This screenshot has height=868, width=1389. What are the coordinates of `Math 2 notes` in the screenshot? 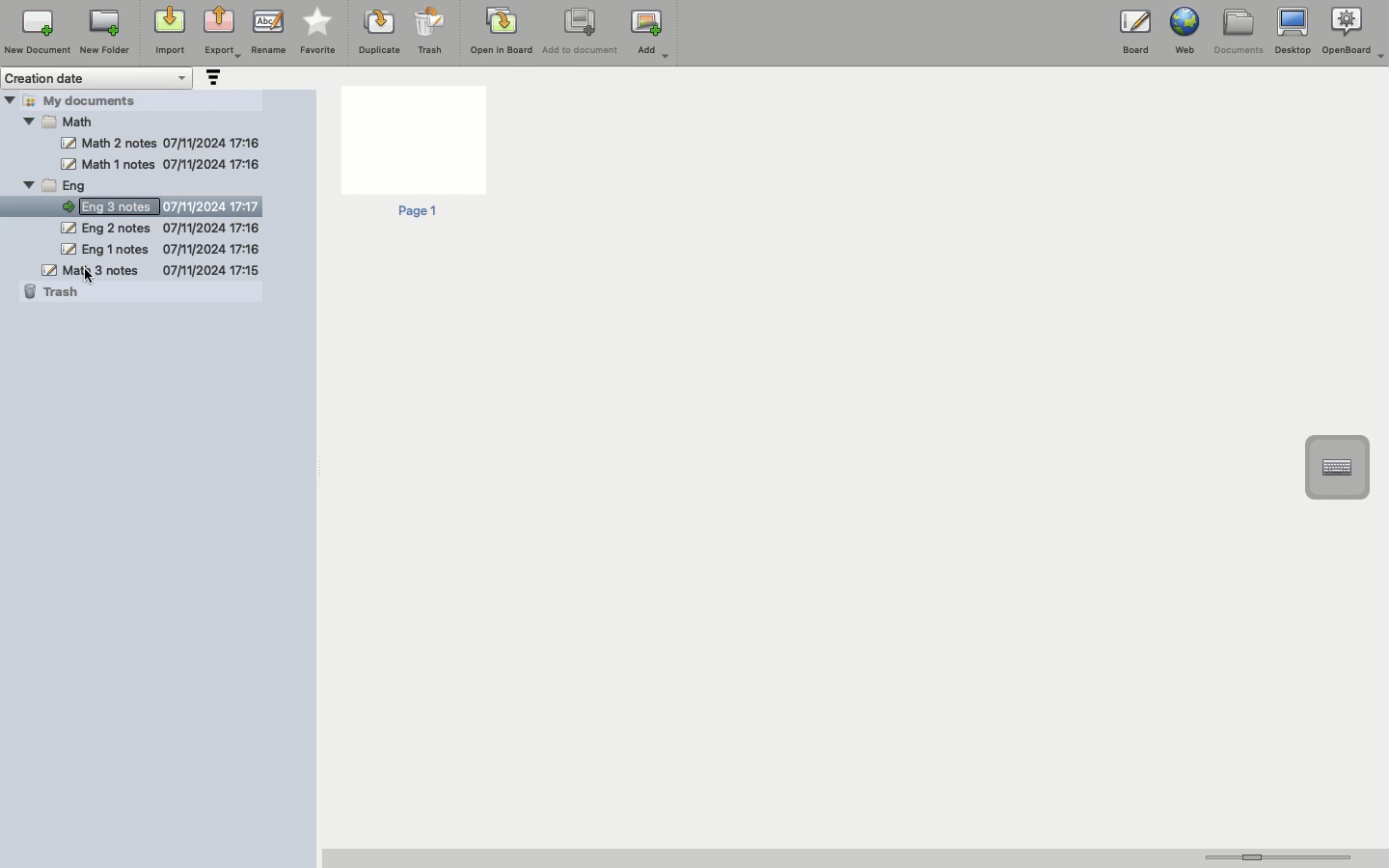 It's located at (162, 164).